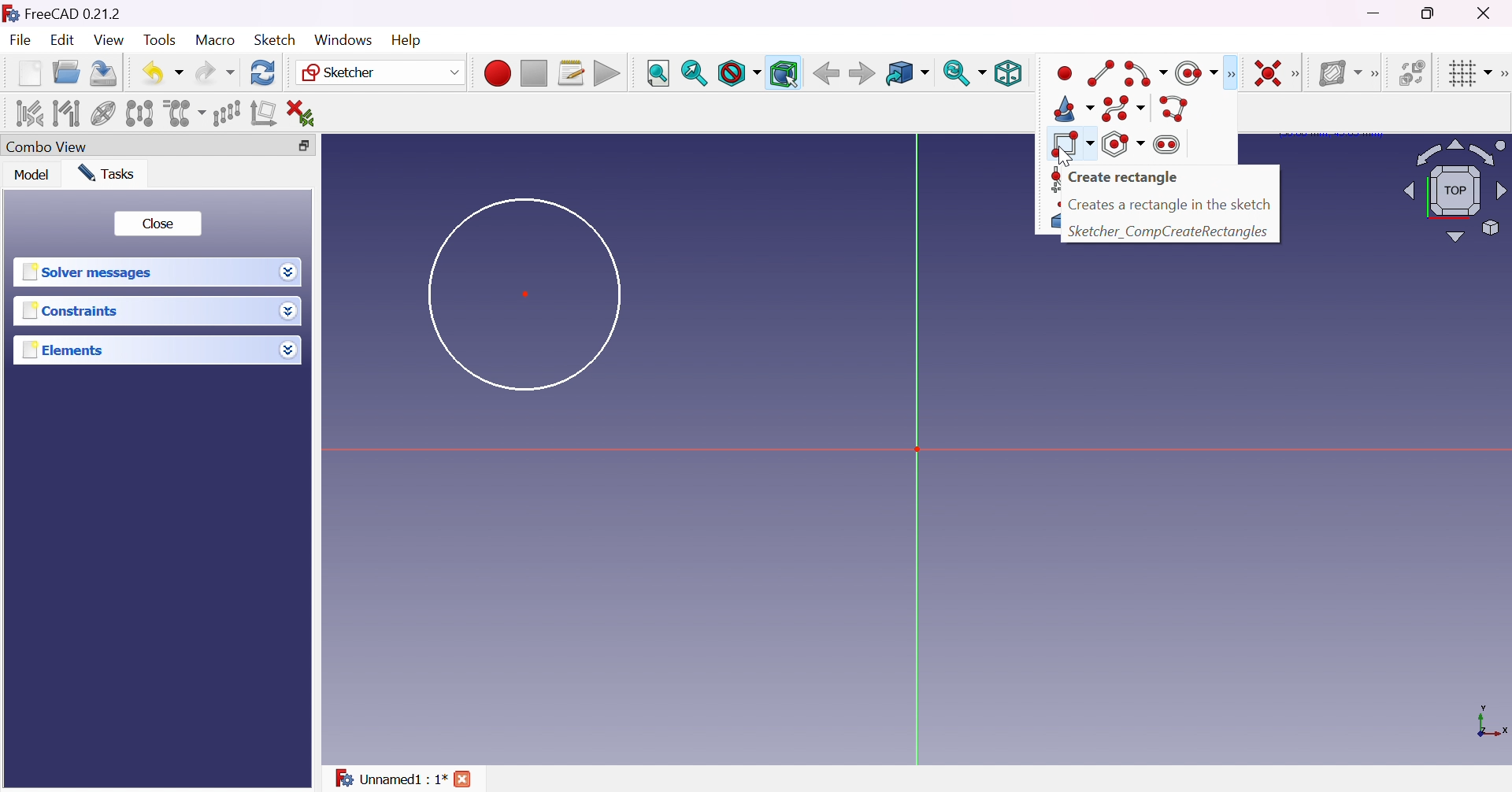  What do you see at coordinates (497, 71) in the screenshot?
I see `Macro recording...` at bounding box center [497, 71].